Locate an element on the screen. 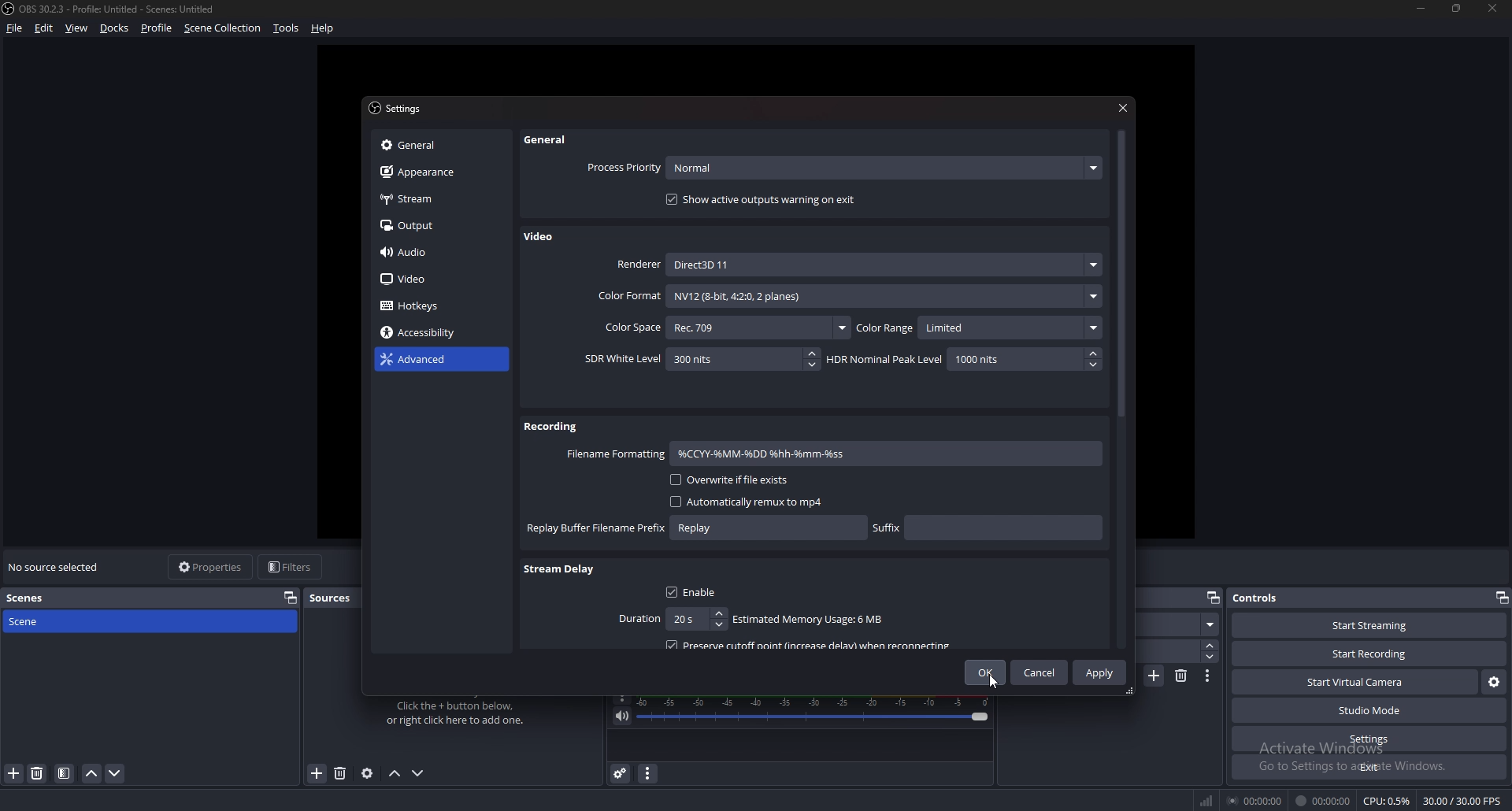 The height and width of the screenshot is (811, 1512). virtual camera settings is located at coordinates (1493, 683).